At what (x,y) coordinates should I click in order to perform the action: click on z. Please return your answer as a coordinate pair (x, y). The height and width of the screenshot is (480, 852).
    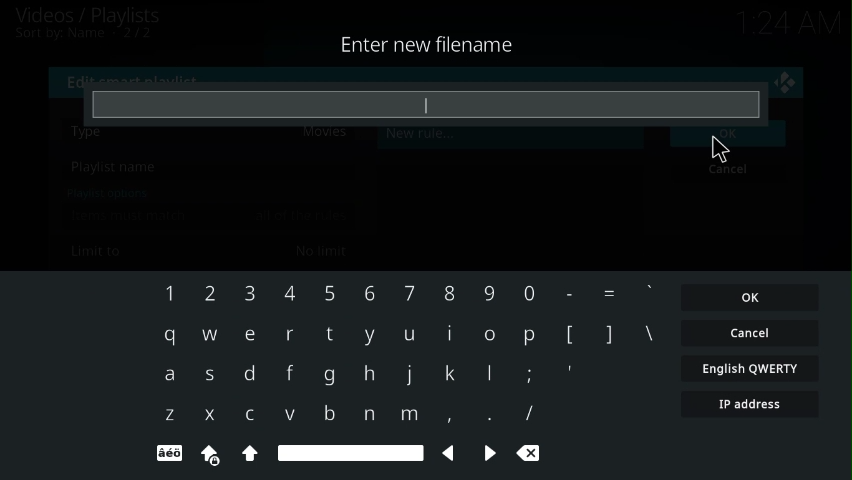
    Looking at the image, I should click on (168, 414).